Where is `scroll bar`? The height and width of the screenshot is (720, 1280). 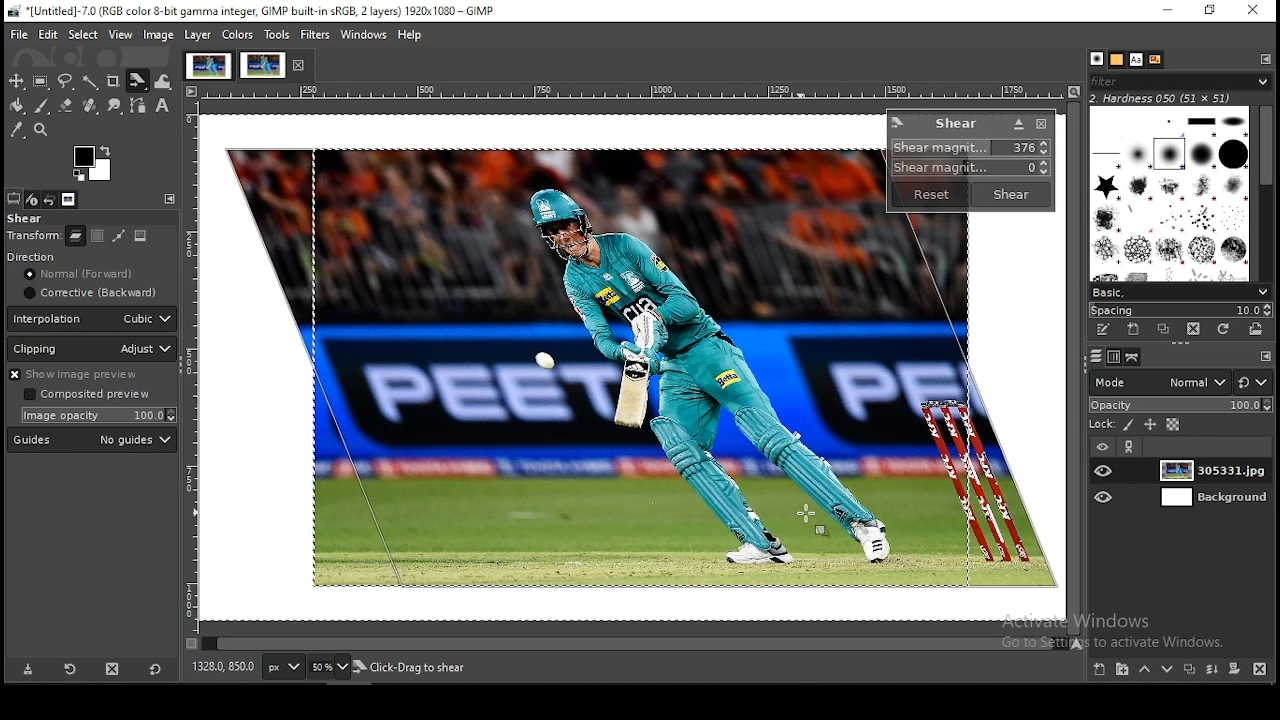
scroll bar is located at coordinates (1072, 368).